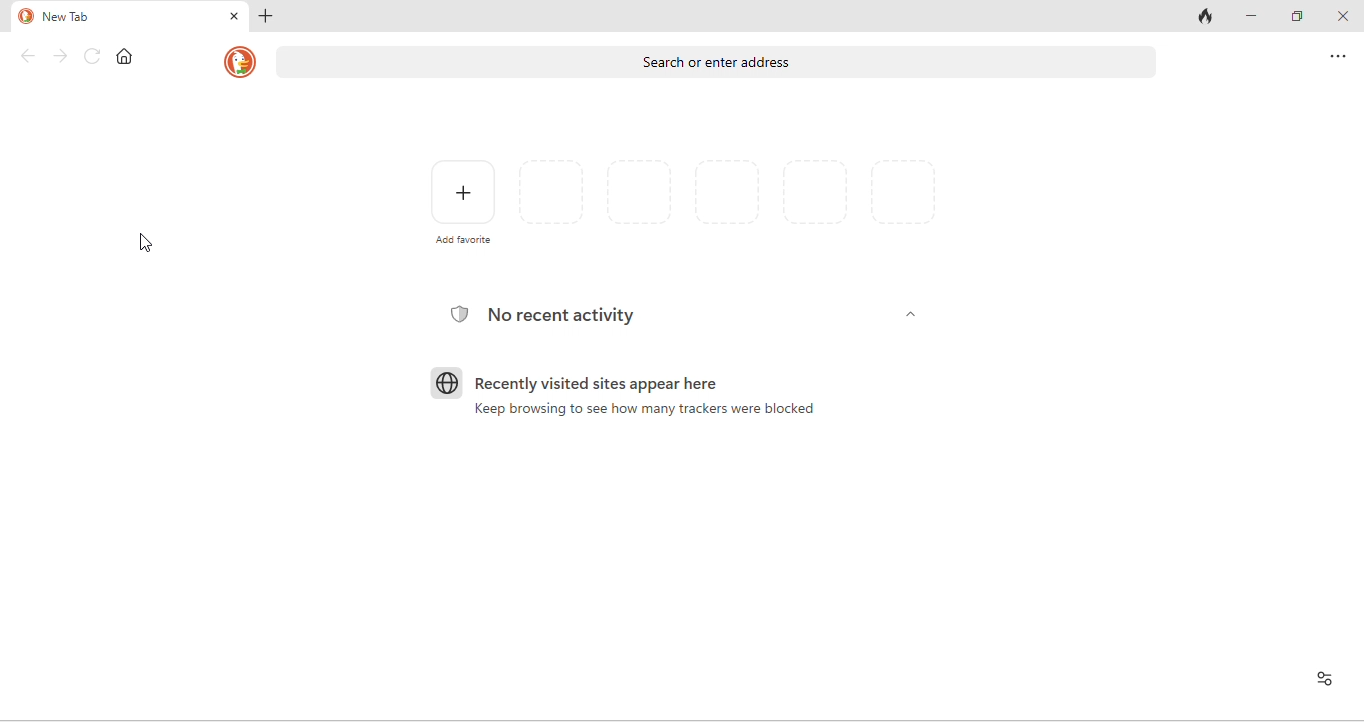 The height and width of the screenshot is (722, 1364). I want to click on tracking logo, so click(457, 313).